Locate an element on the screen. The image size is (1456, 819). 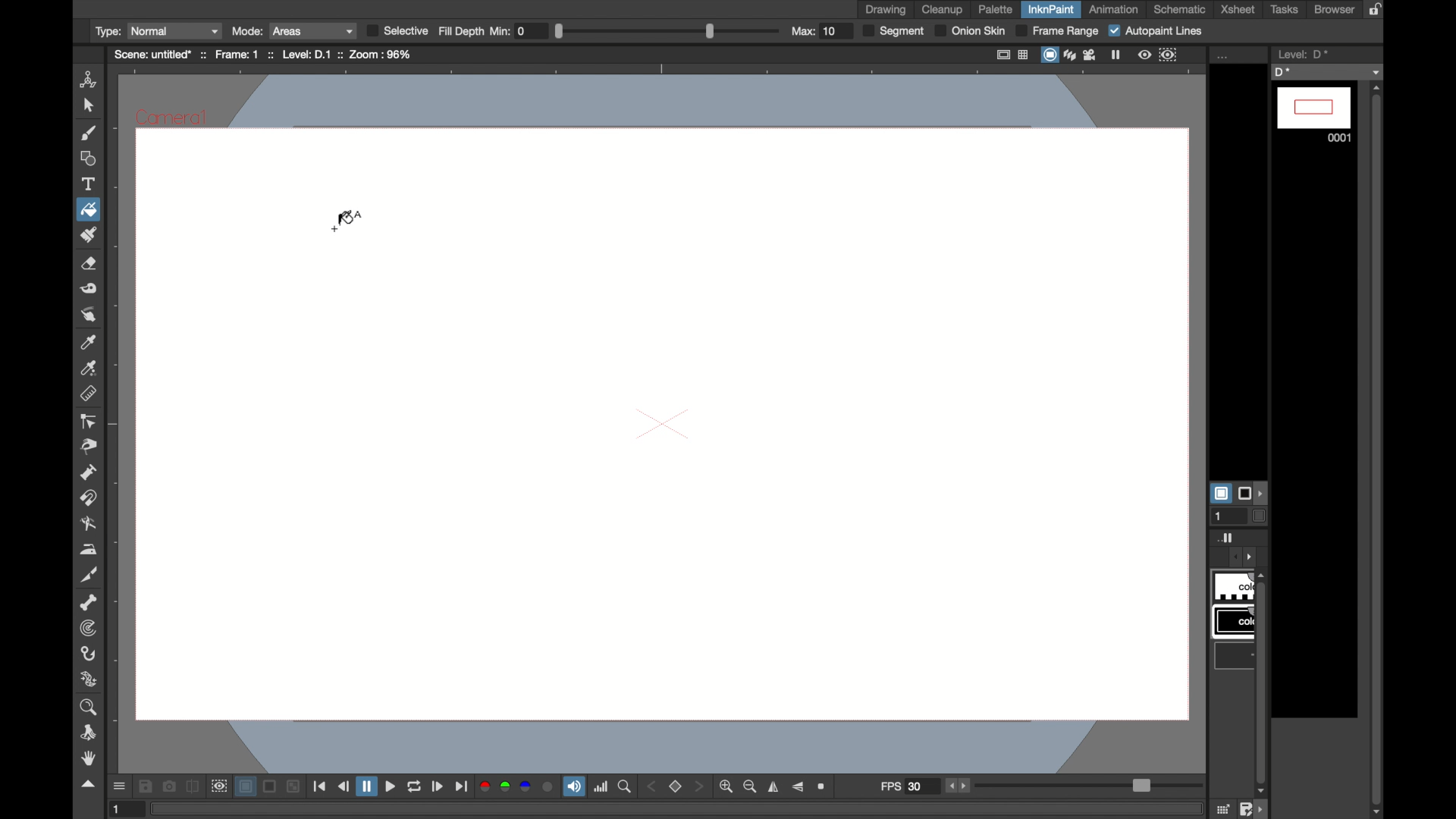
layer is located at coordinates (246, 786).